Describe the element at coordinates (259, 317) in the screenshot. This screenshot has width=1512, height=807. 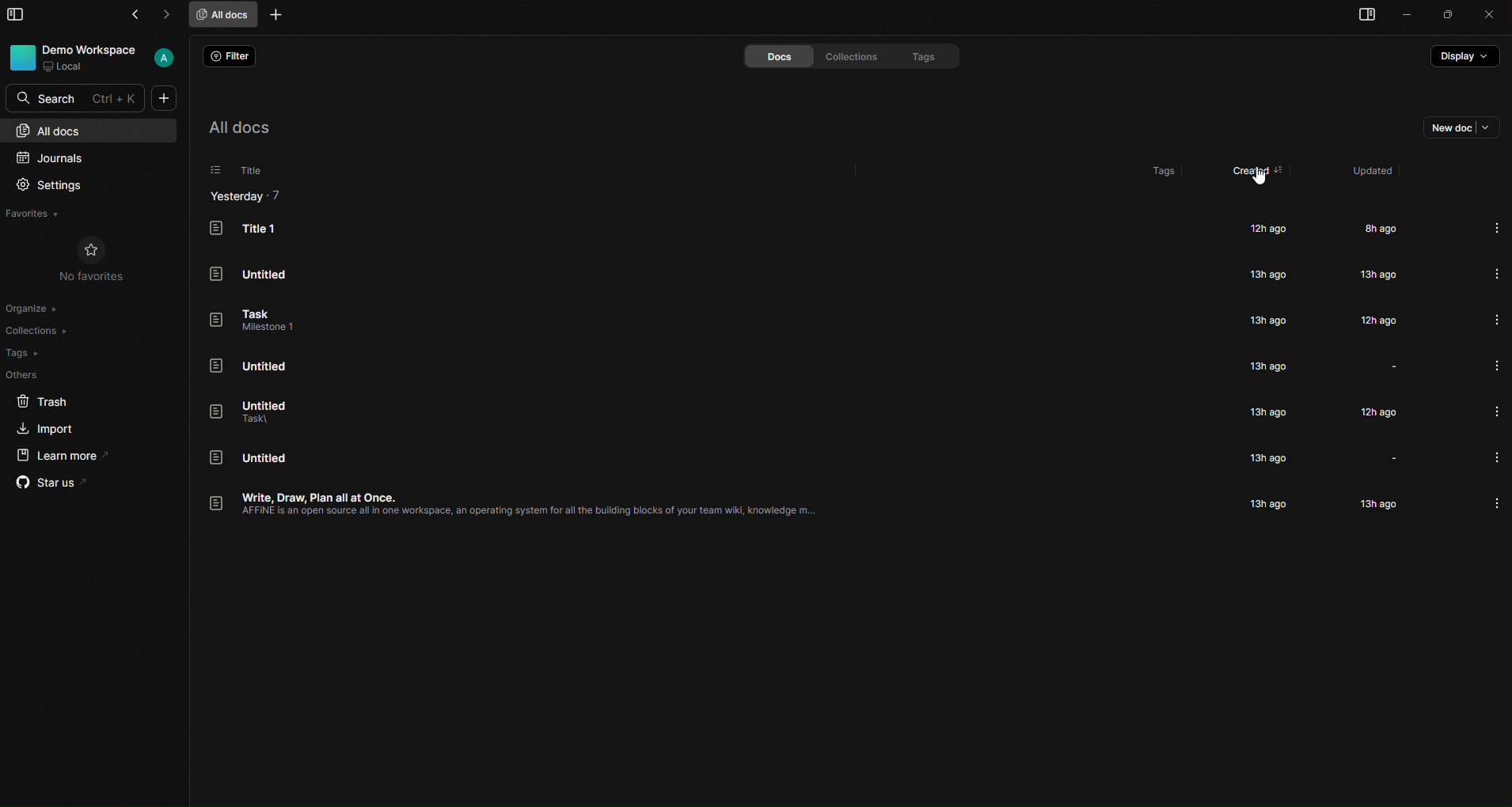
I see `Task` at that location.